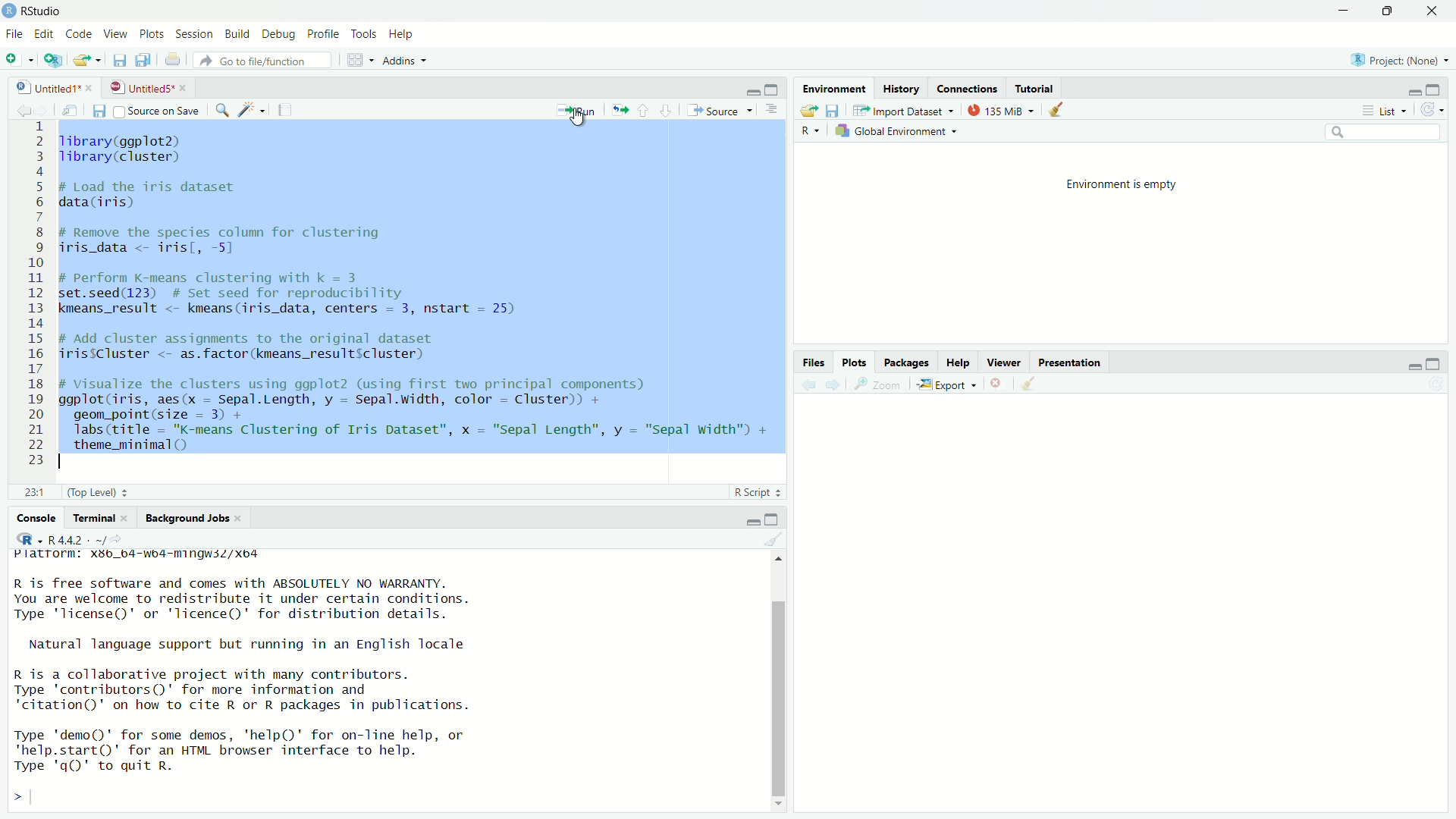  What do you see at coordinates (121, 539) in the screenshot?
I see `view the current working directory` at bounding box center [121, 539].